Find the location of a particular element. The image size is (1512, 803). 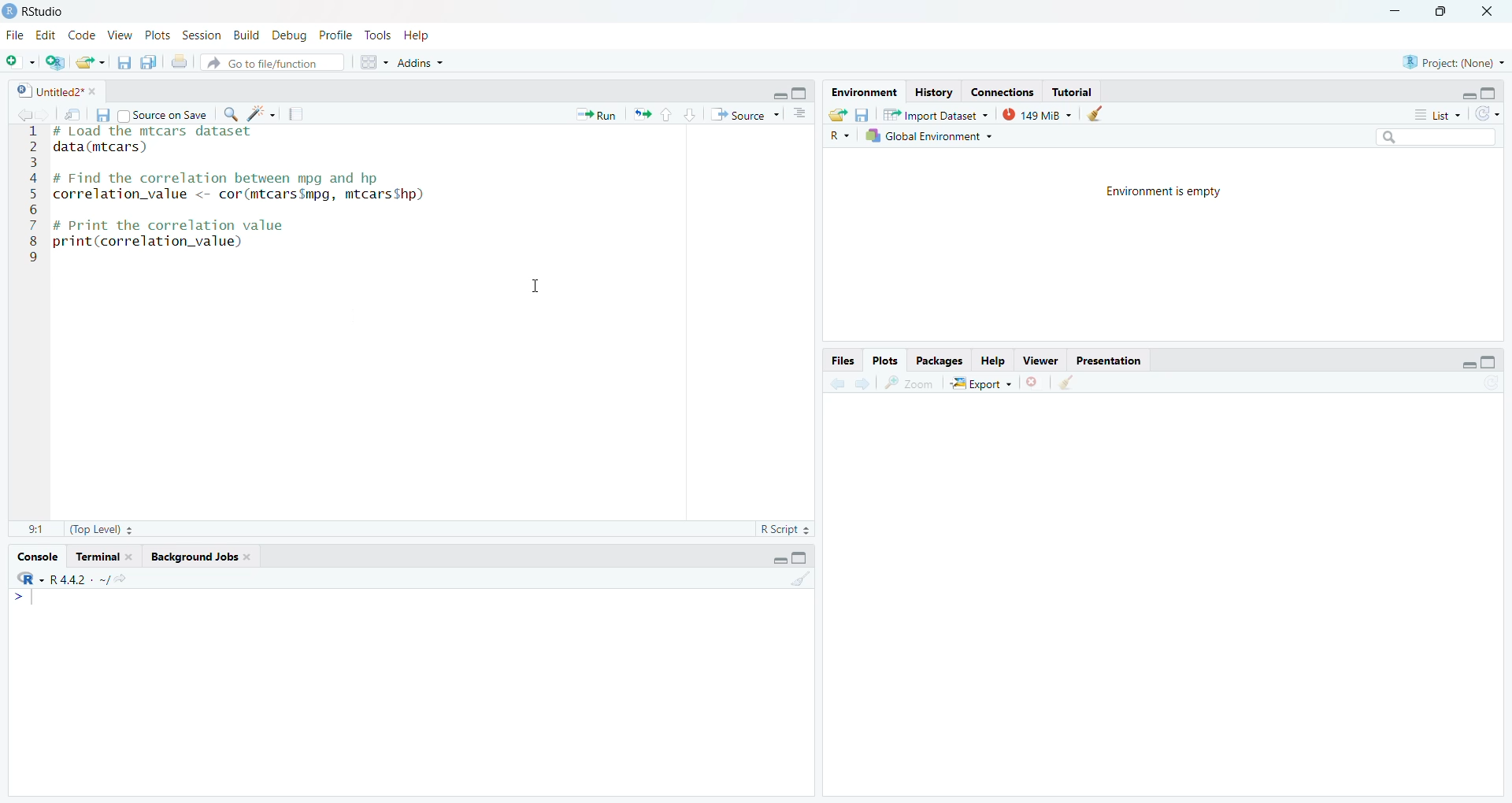

Import Database is located at coordinates (936, 116).